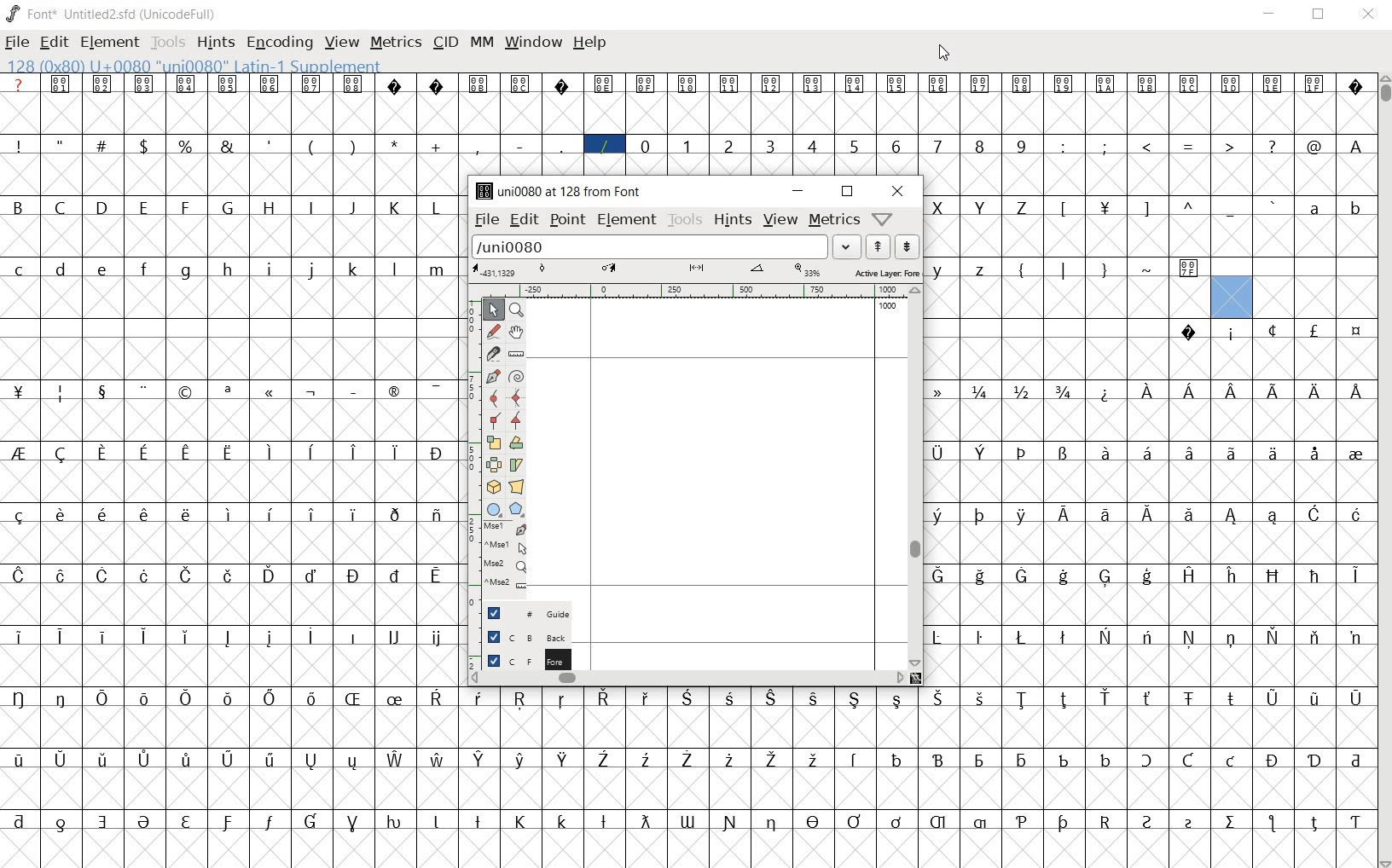 This screenshot has height=868, width=1392. What do you see at coordinates (228, 206) in the screenshot?
I see `glyph` at bounding box center [228, 206].